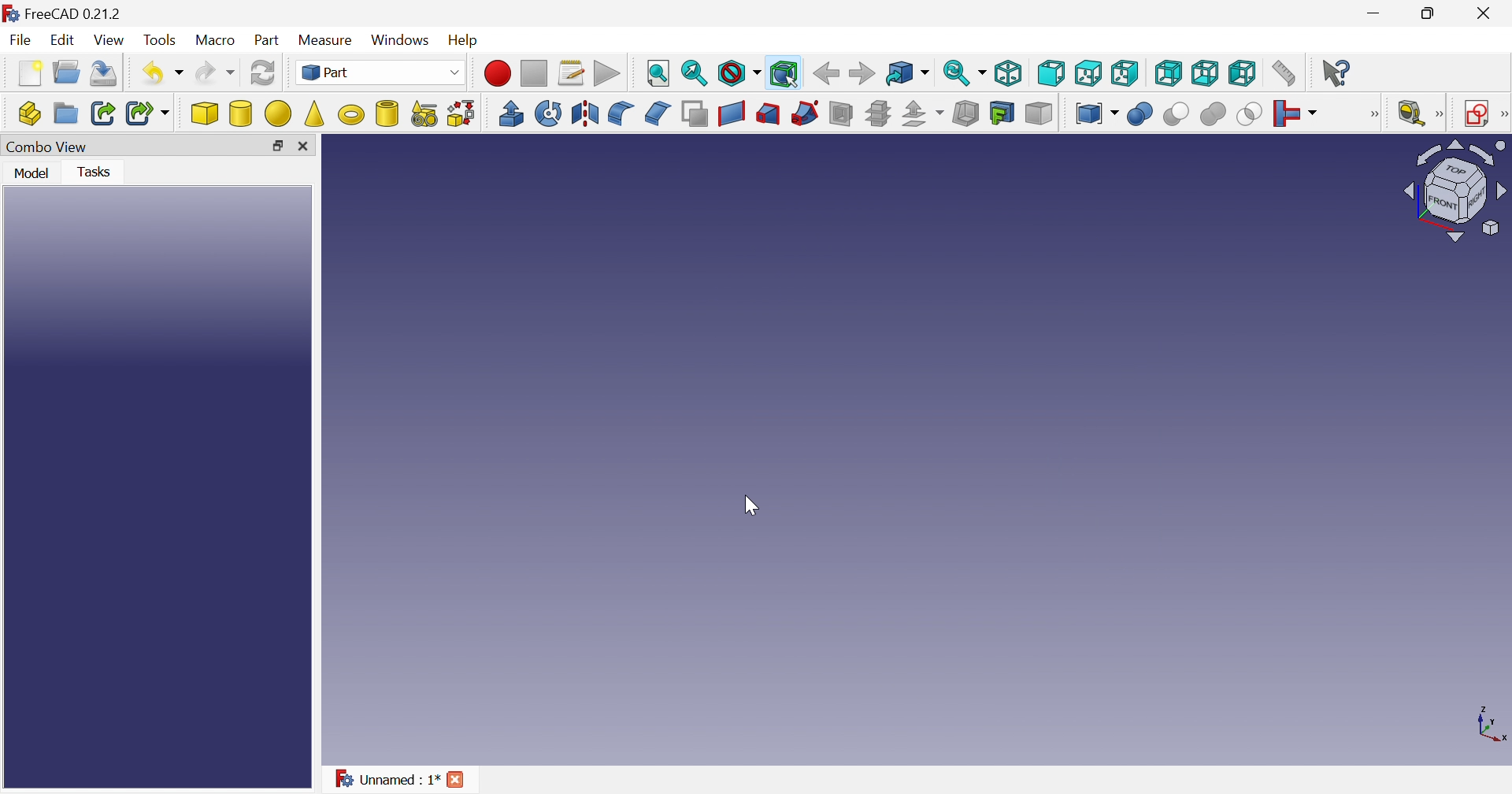  Describe the element at coordinates (30, 172) in the screenshot. I see `Model` at that location.